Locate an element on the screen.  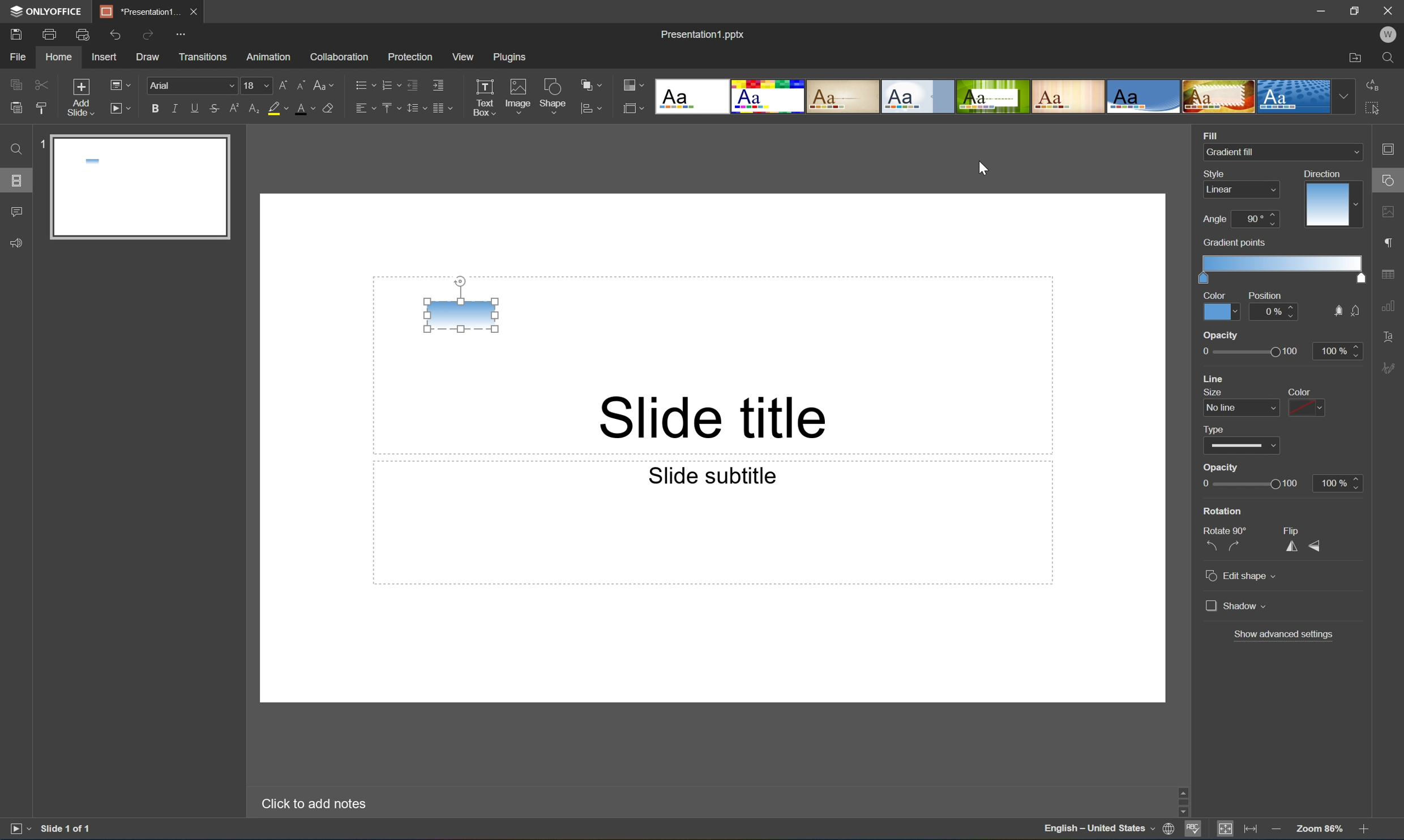
color is located at coordinates (1296, 392).